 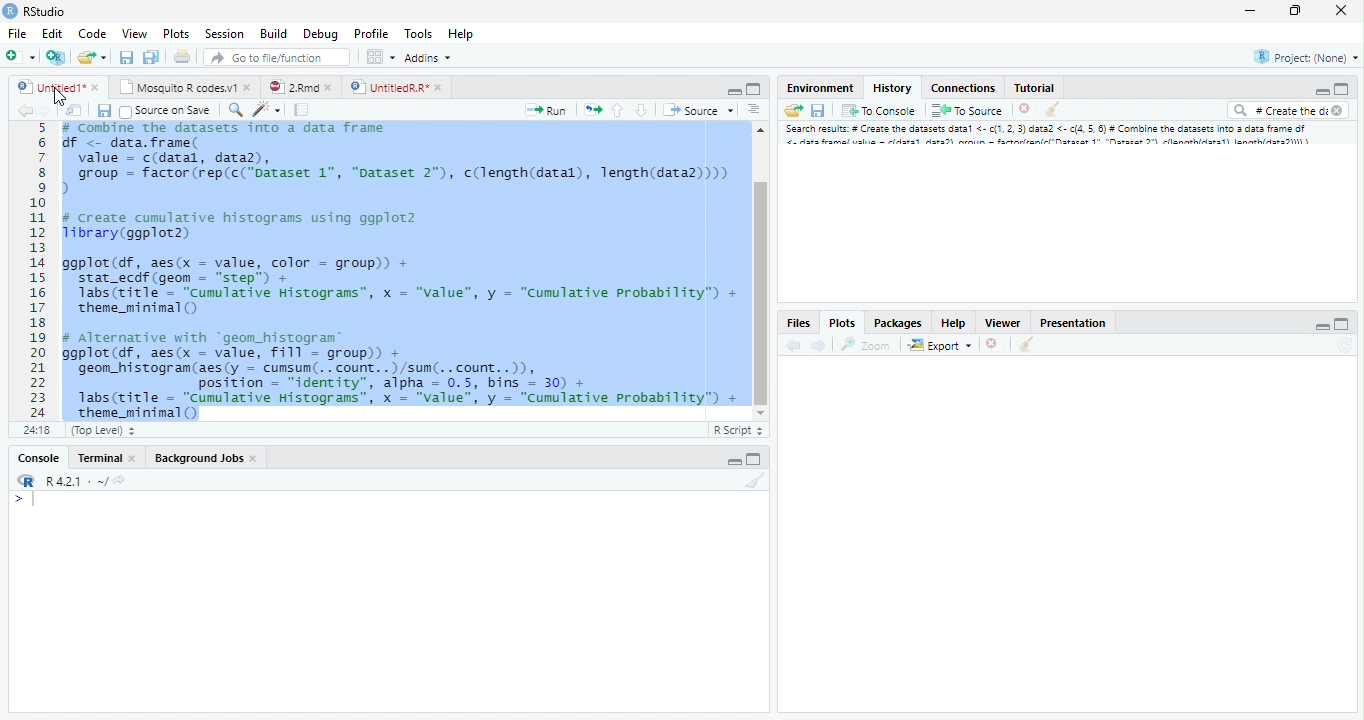 What do you see at coordinates (898, 321) in the screenshot?
I see `Packages` at bounding box center [898, 321].